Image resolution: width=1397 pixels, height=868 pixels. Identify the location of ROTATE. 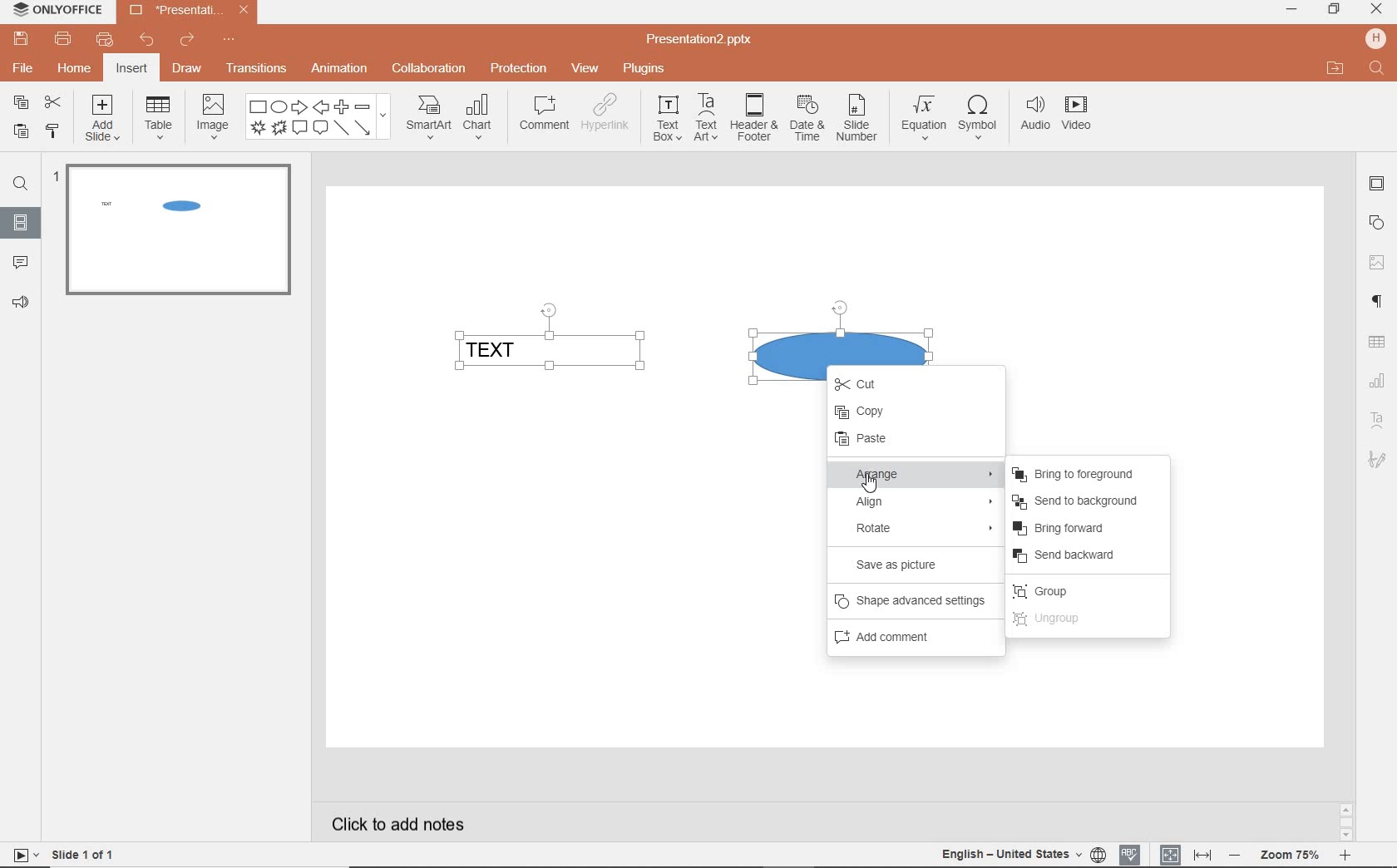
(918, 529).